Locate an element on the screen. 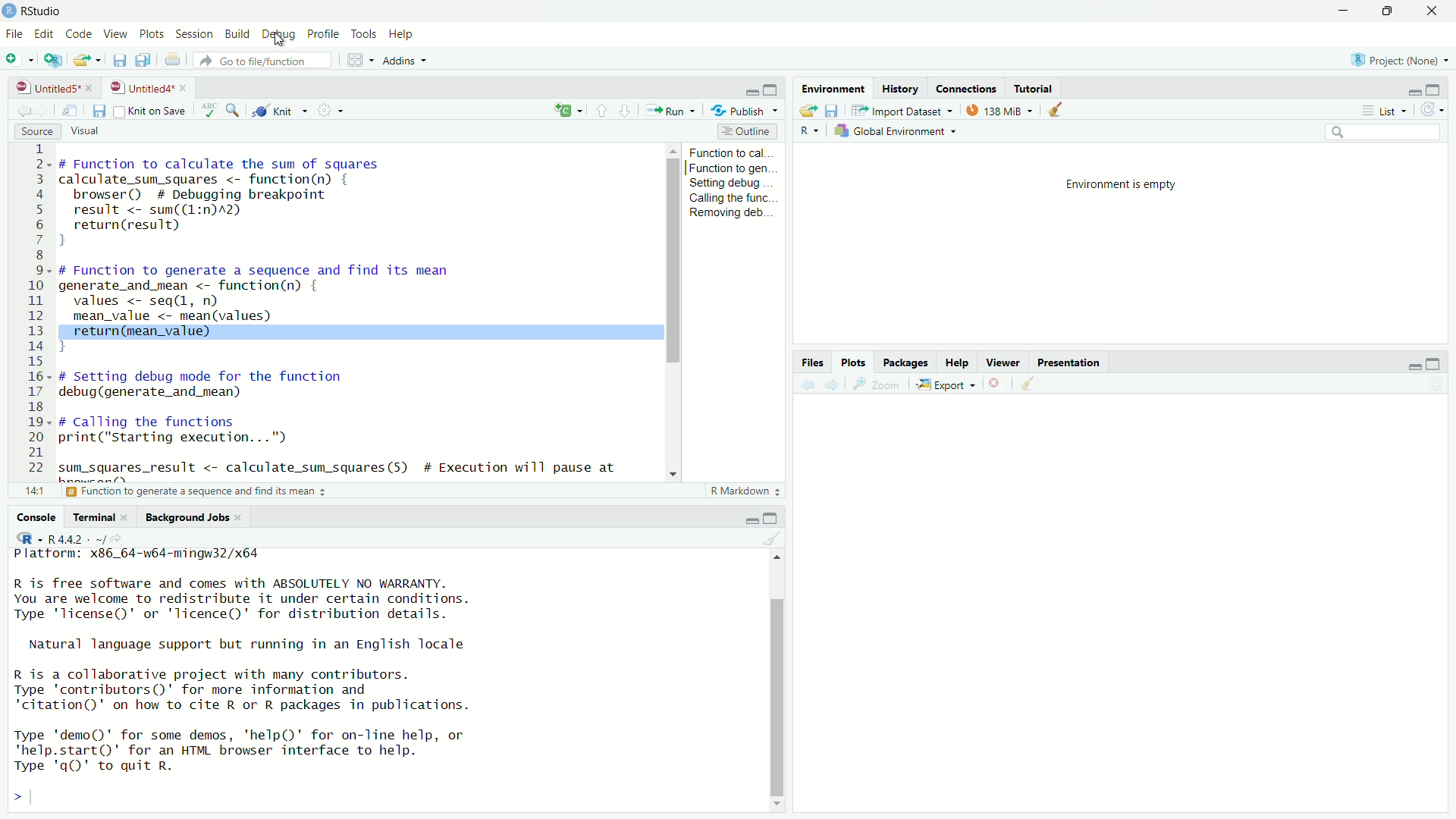 The width and height of the screenshot is (1456, 819). maximize is located at coordinates (1395, 13).